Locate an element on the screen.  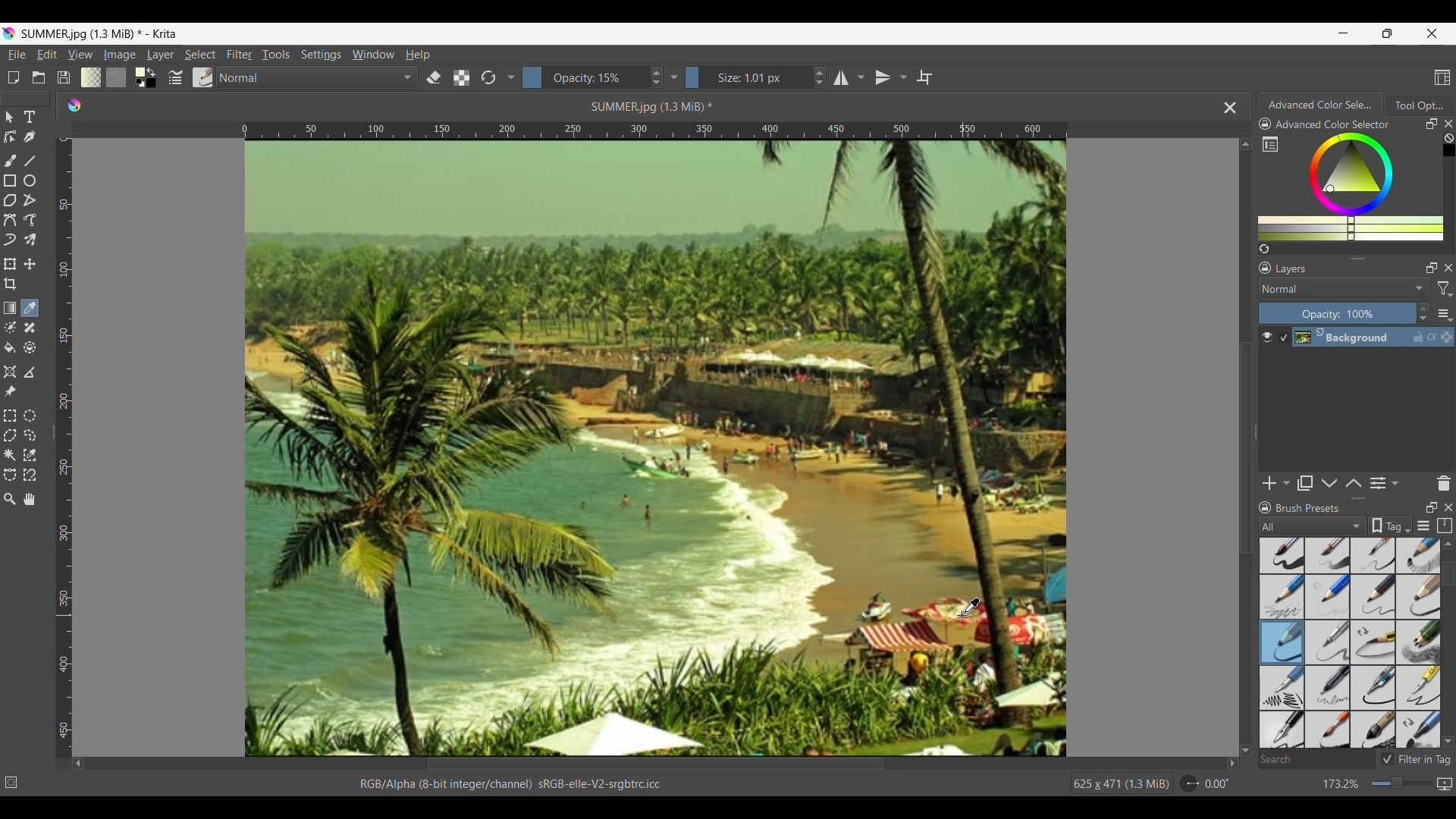
Freehand path tool is located at coordinates (30, 220).